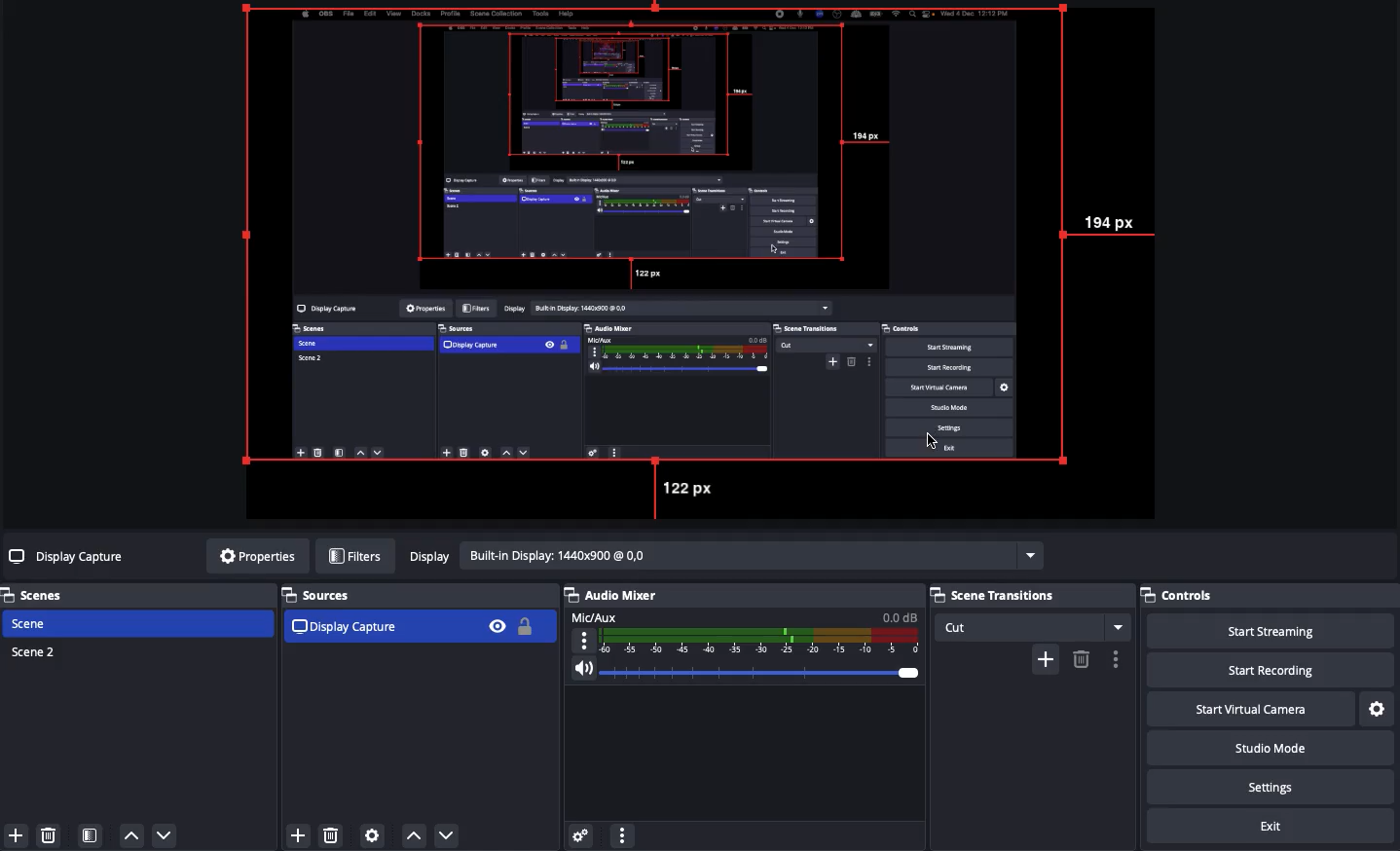  What do you see at coordinates (1285, 751) in the screenshot?
I see `Studio mode` at bounding box center [1285, 751].